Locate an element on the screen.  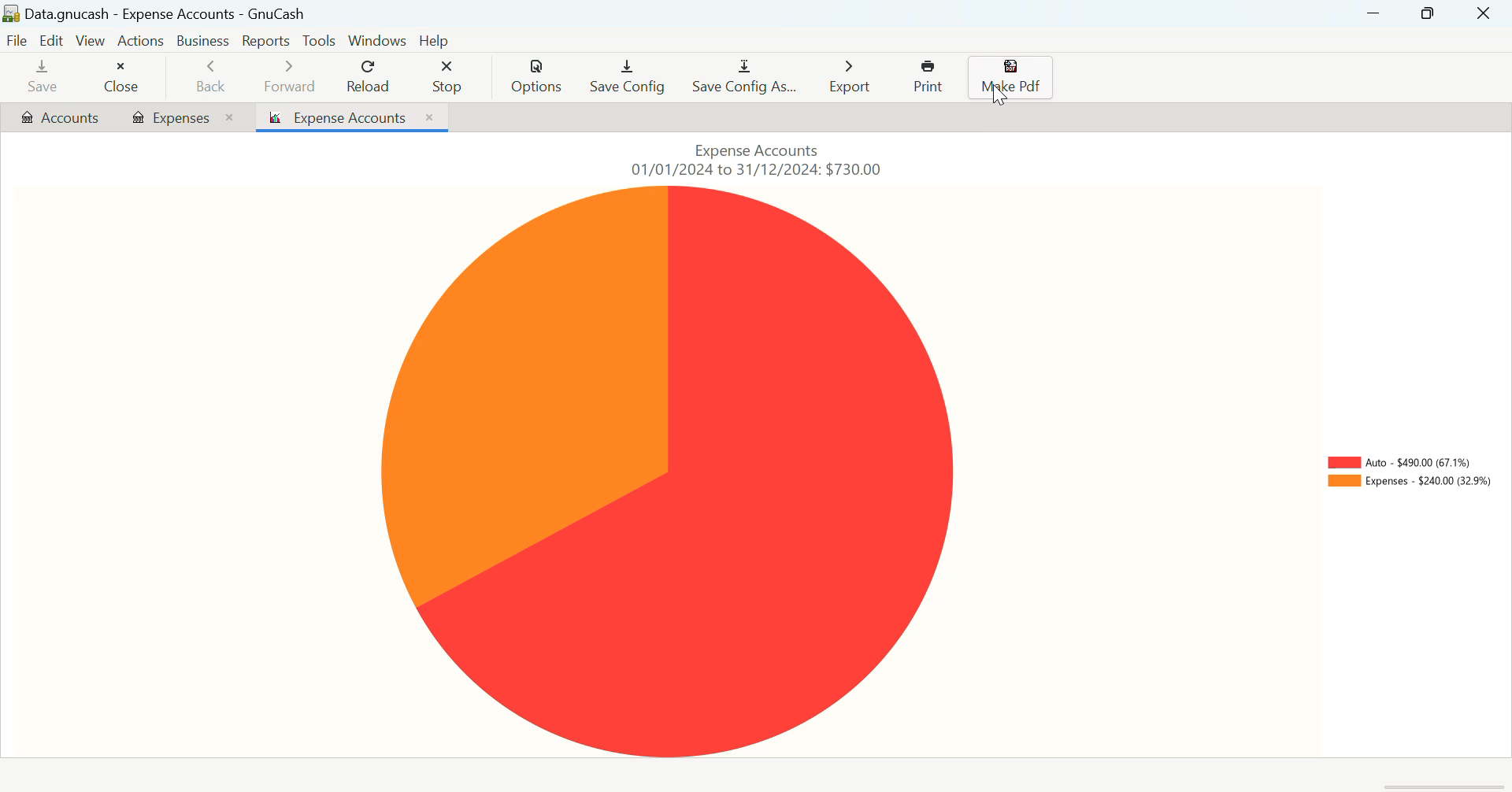
Piechart Key is located at coordinates (1409, 476).